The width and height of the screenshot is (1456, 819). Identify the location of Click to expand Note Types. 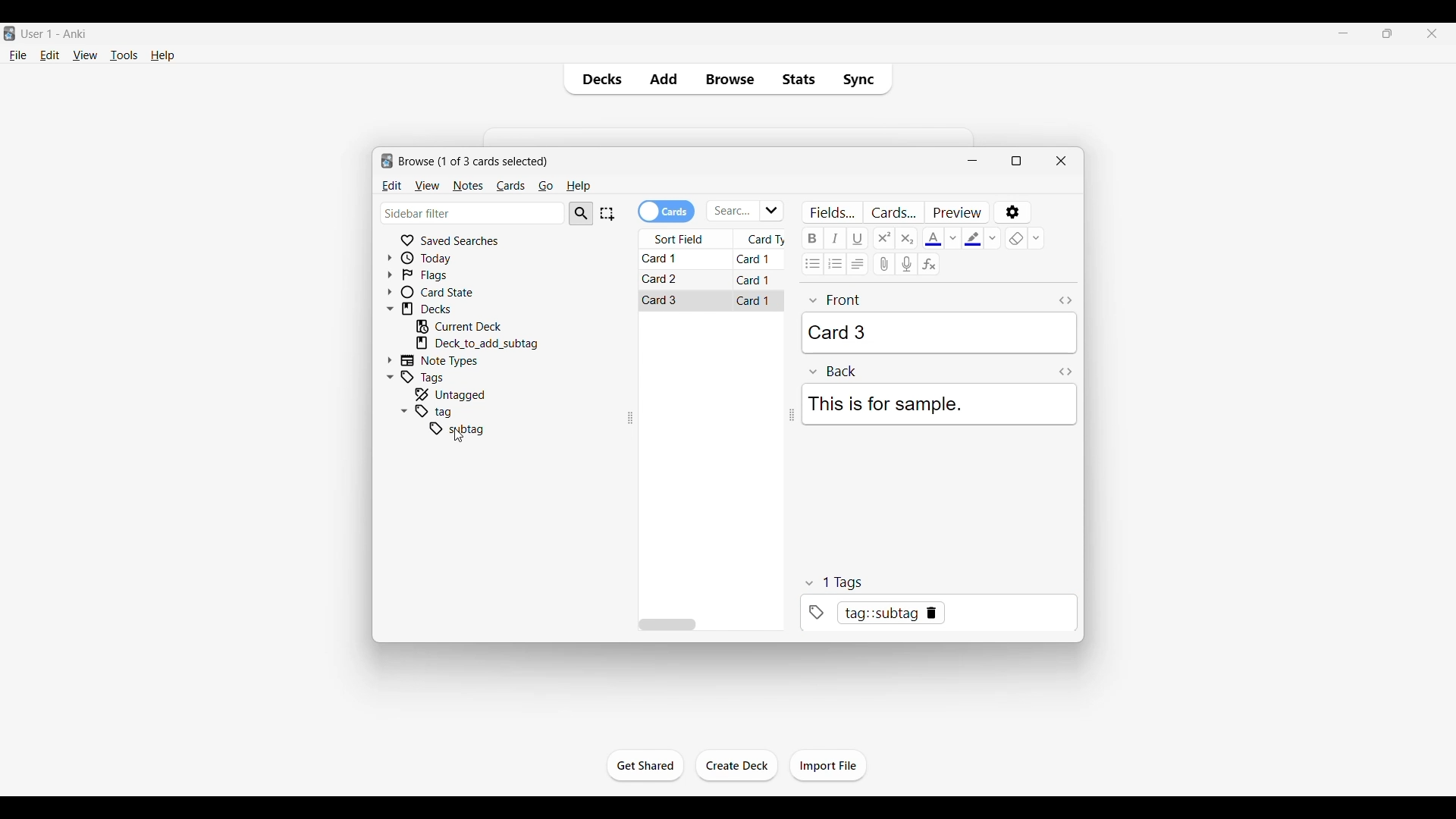
(390, 360).